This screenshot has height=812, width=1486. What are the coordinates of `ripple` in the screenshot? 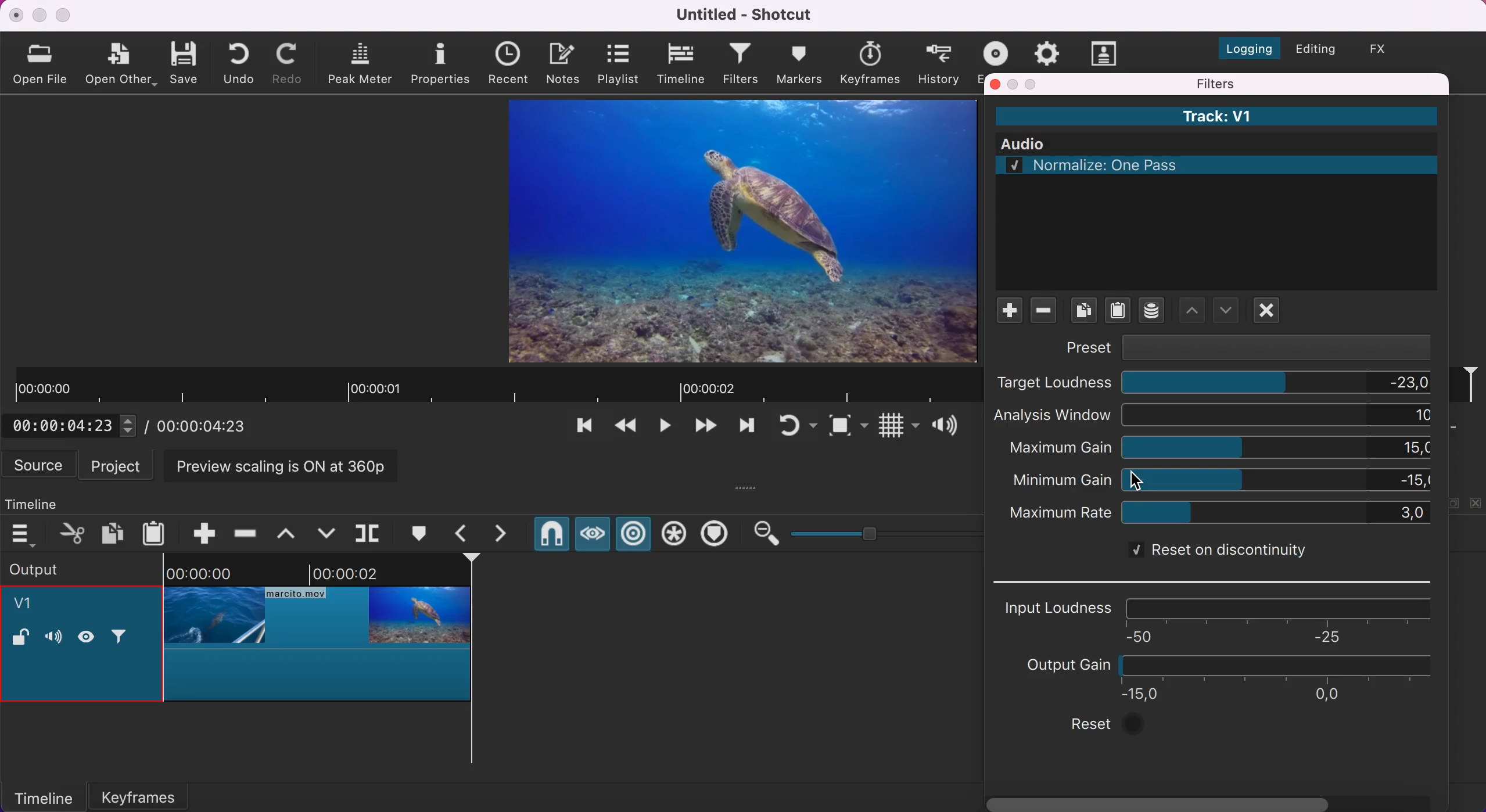 It's located at (634, 535).